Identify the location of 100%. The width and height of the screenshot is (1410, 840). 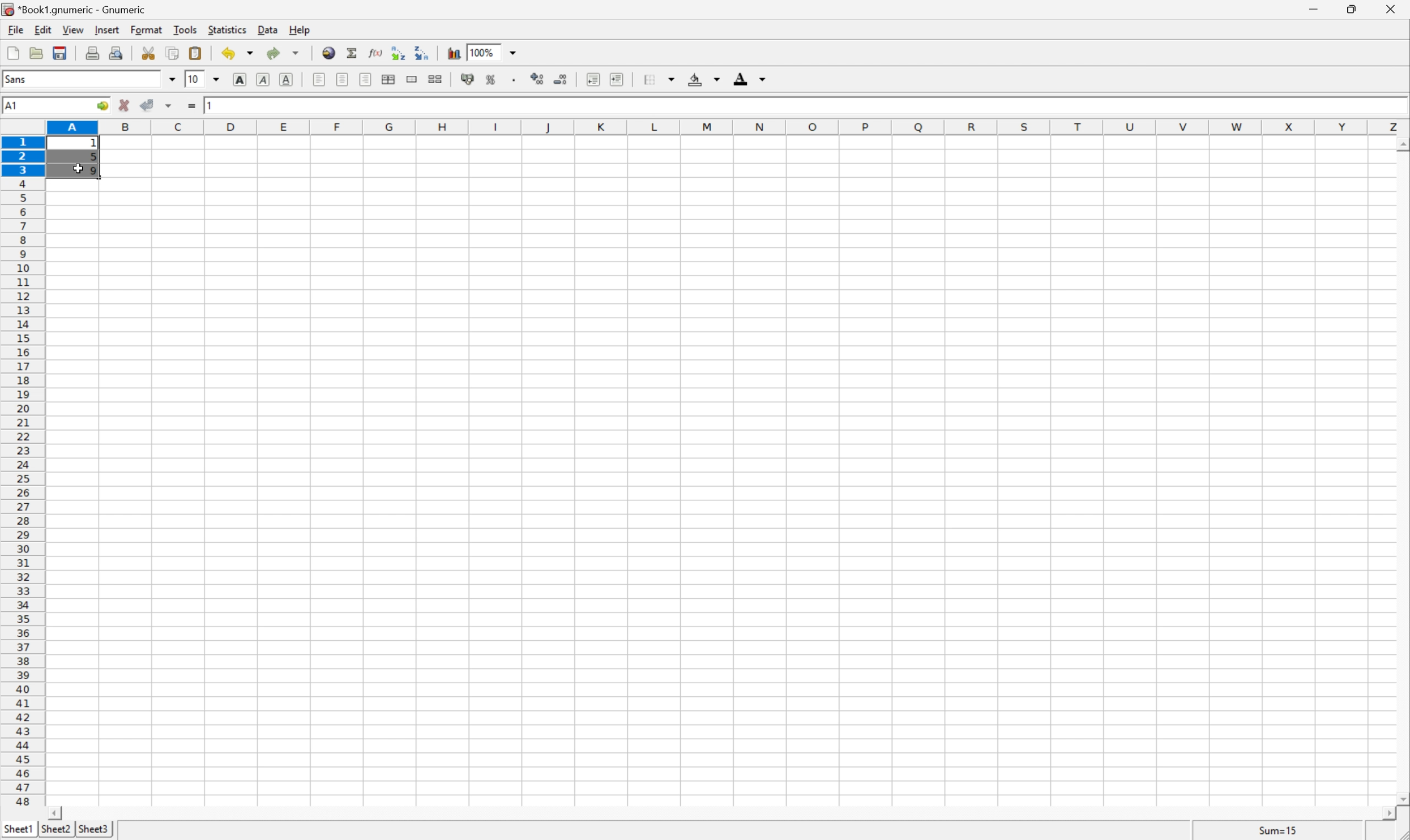
(481, 52).